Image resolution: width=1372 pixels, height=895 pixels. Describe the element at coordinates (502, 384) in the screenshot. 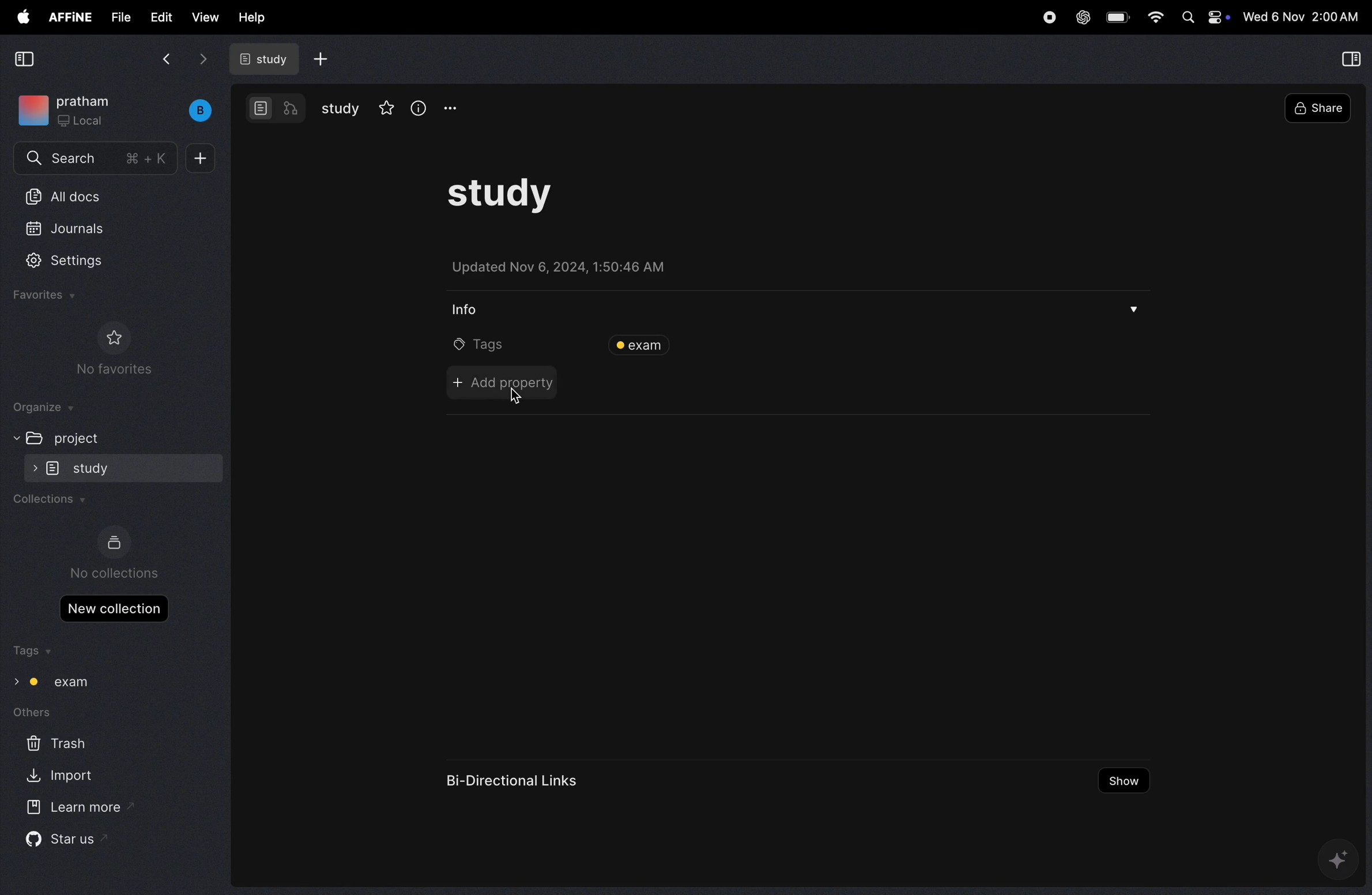

I see `add property` at that location.